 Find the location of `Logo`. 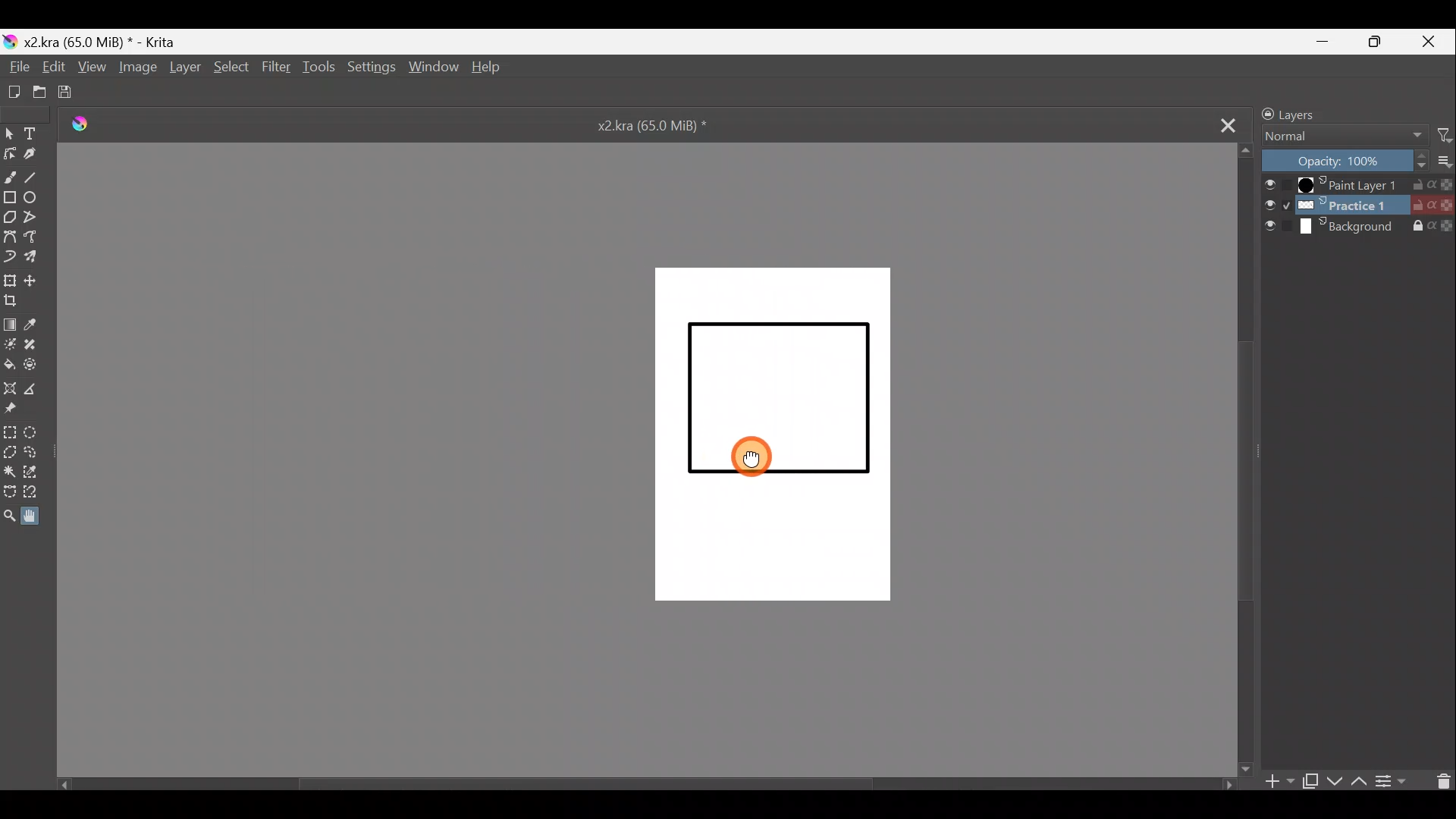

Logo is located at coordinates (80, 125).